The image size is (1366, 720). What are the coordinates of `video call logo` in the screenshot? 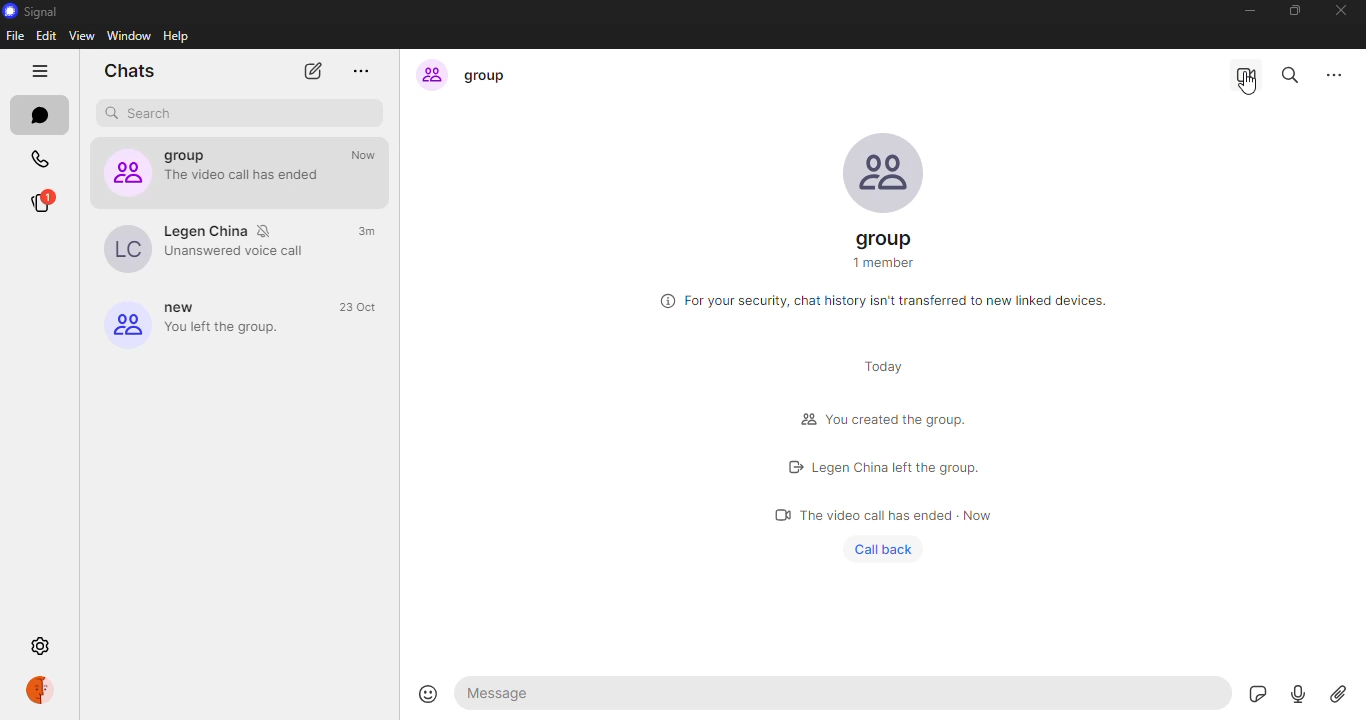 It's located at (774, 513).